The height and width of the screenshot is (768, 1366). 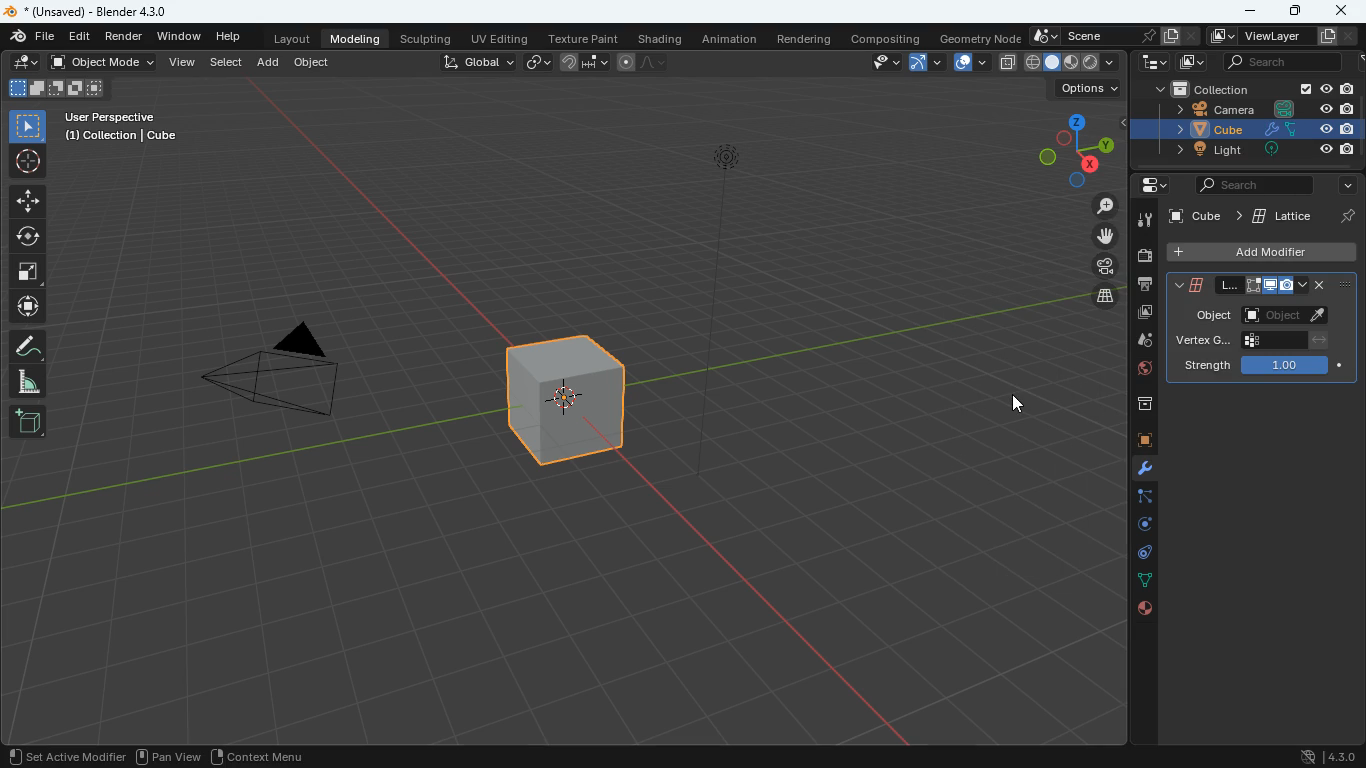 What do you see at coordinates (1141, 373) in the screenshot?
I see `globe` at bounding box center [1141, 373].